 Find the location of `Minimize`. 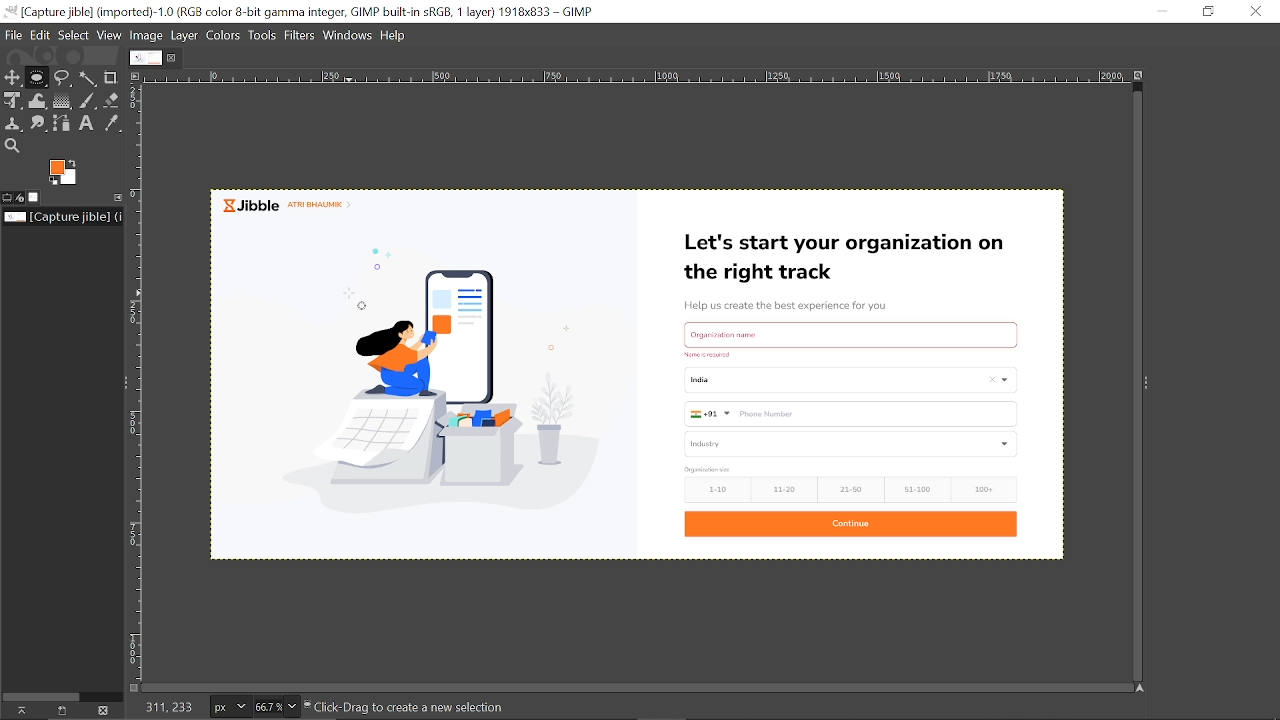

Minimize is located at coordinates (1166, 11).